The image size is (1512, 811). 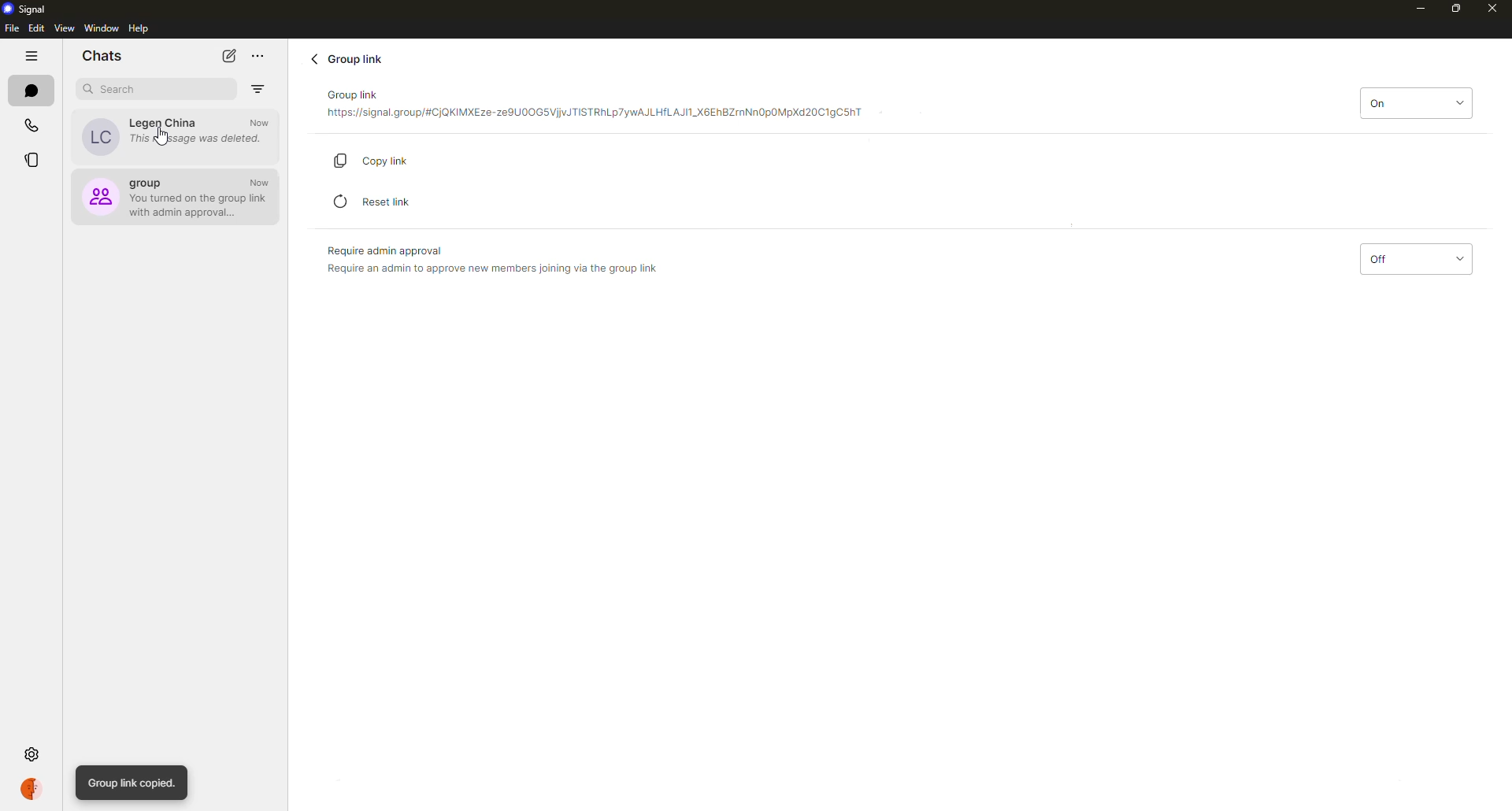 I want to click on close, so click(x=1492, y=9).